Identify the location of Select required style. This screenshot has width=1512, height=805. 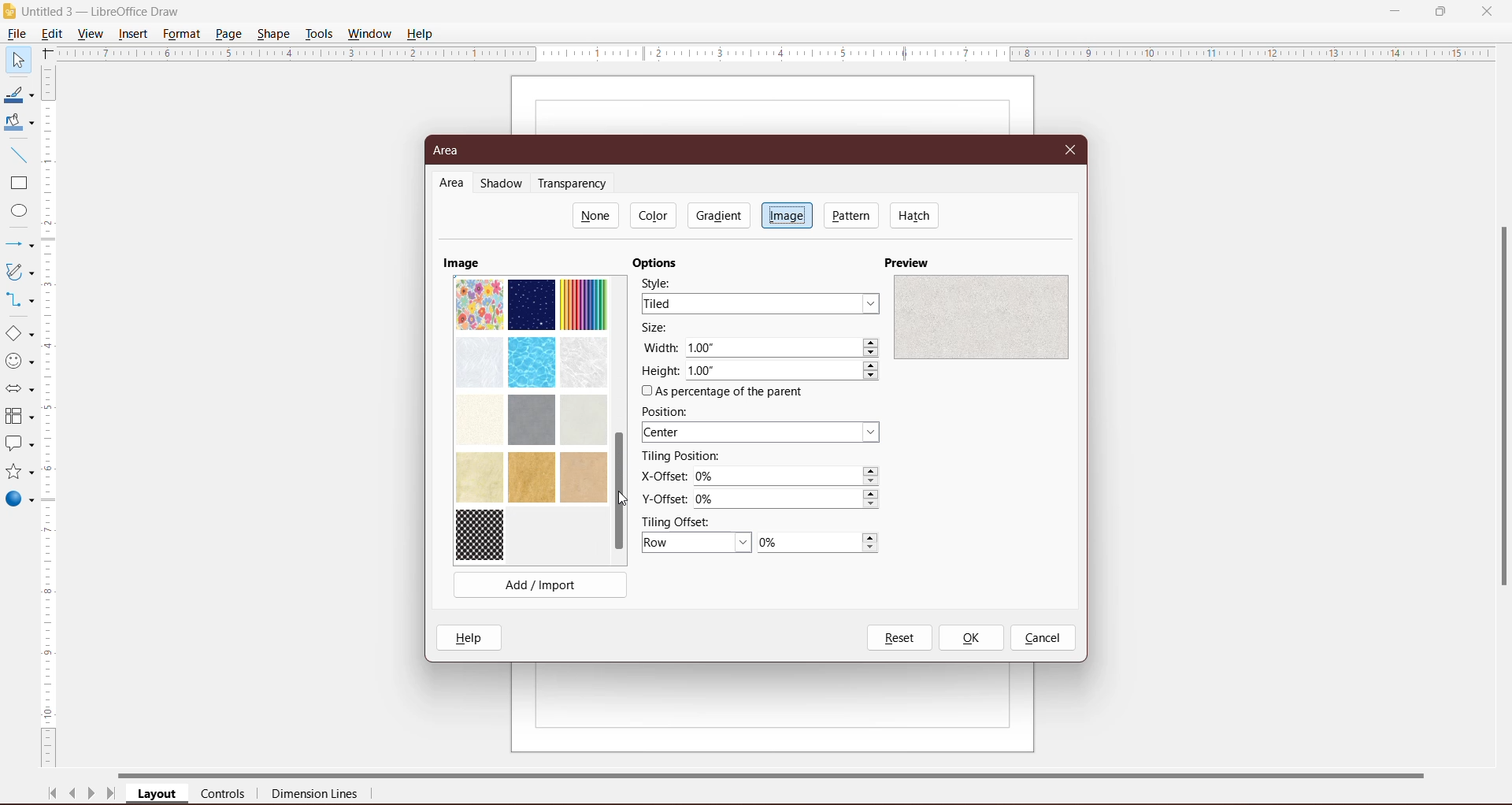
(760, 303).